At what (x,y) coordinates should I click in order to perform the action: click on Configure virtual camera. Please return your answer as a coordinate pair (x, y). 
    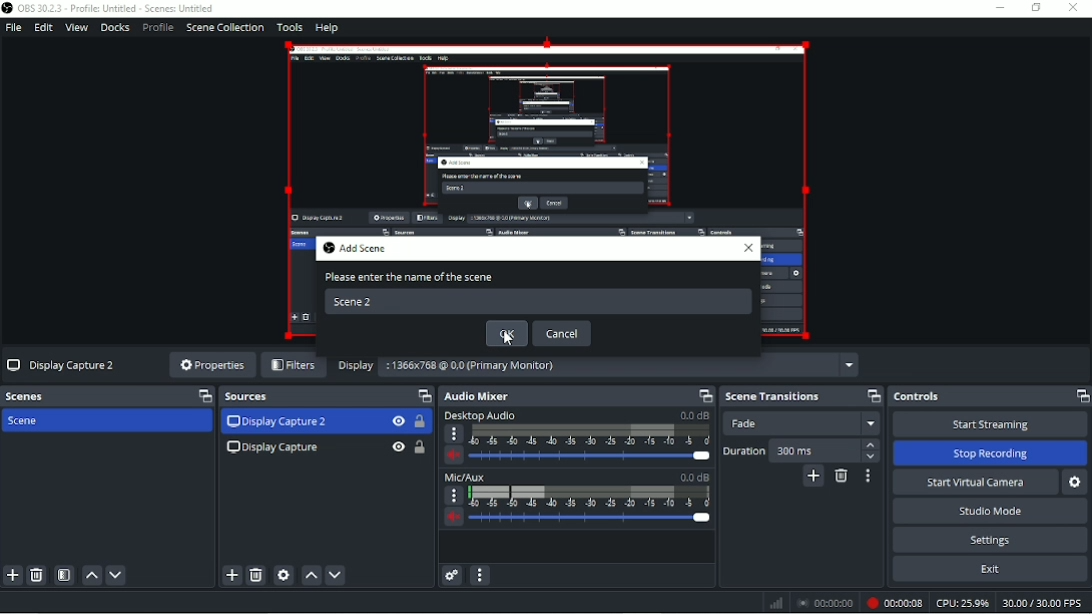
    Looking at the image, I should click on (1077, 482).